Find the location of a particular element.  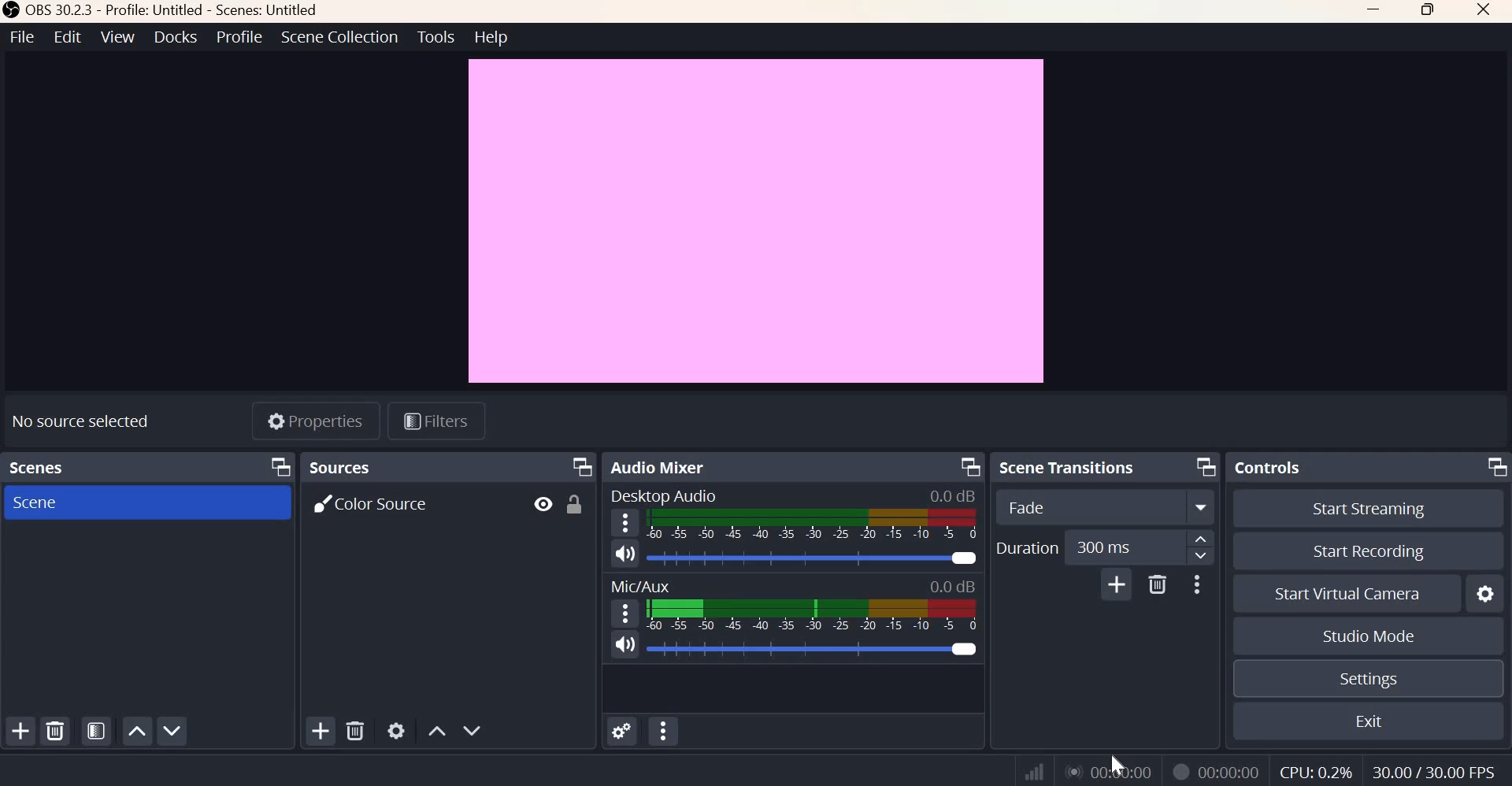

Settings is located at coordinates (1366, 680).